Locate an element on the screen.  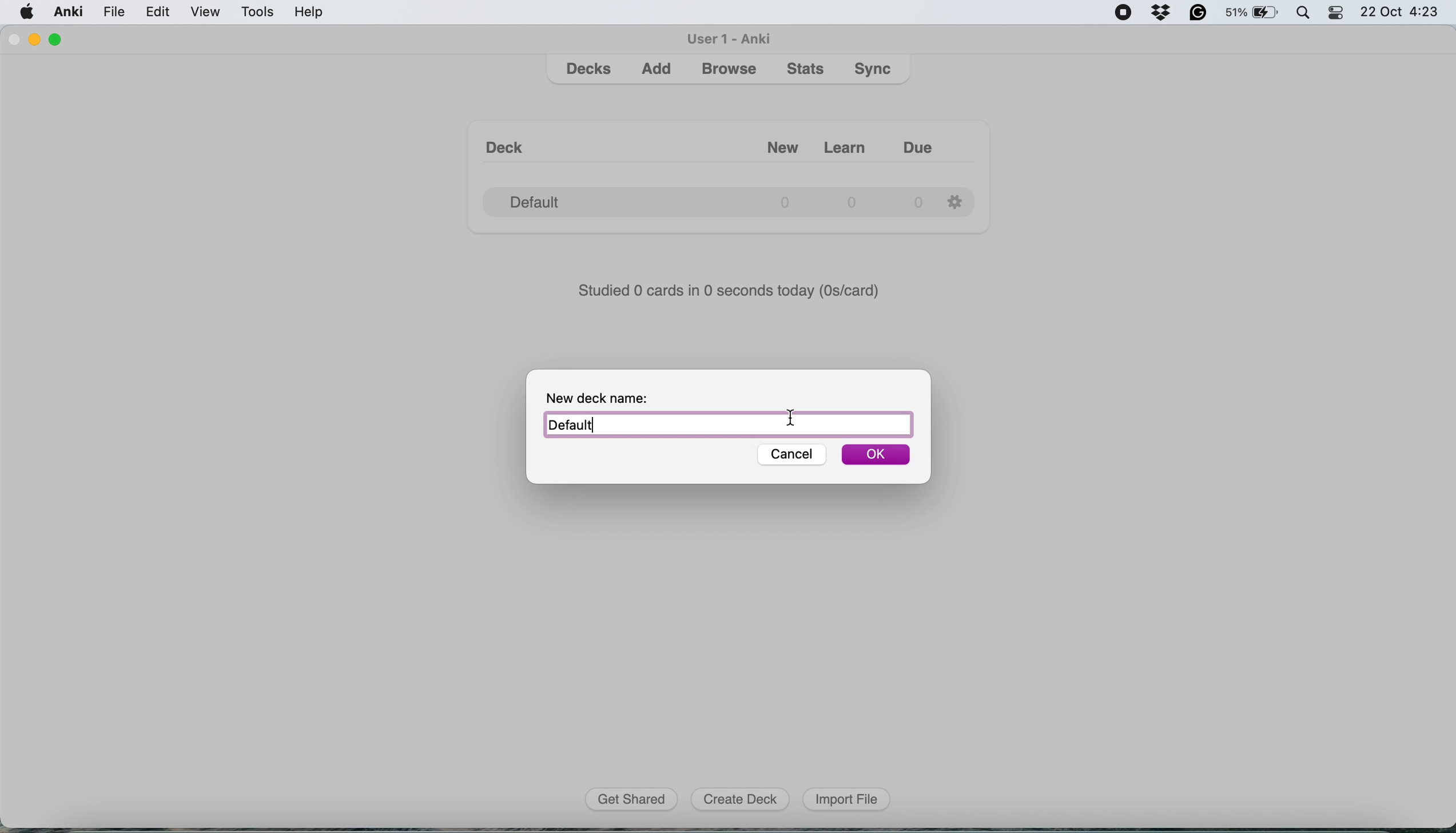
decks is located at coordinates (590, 69).